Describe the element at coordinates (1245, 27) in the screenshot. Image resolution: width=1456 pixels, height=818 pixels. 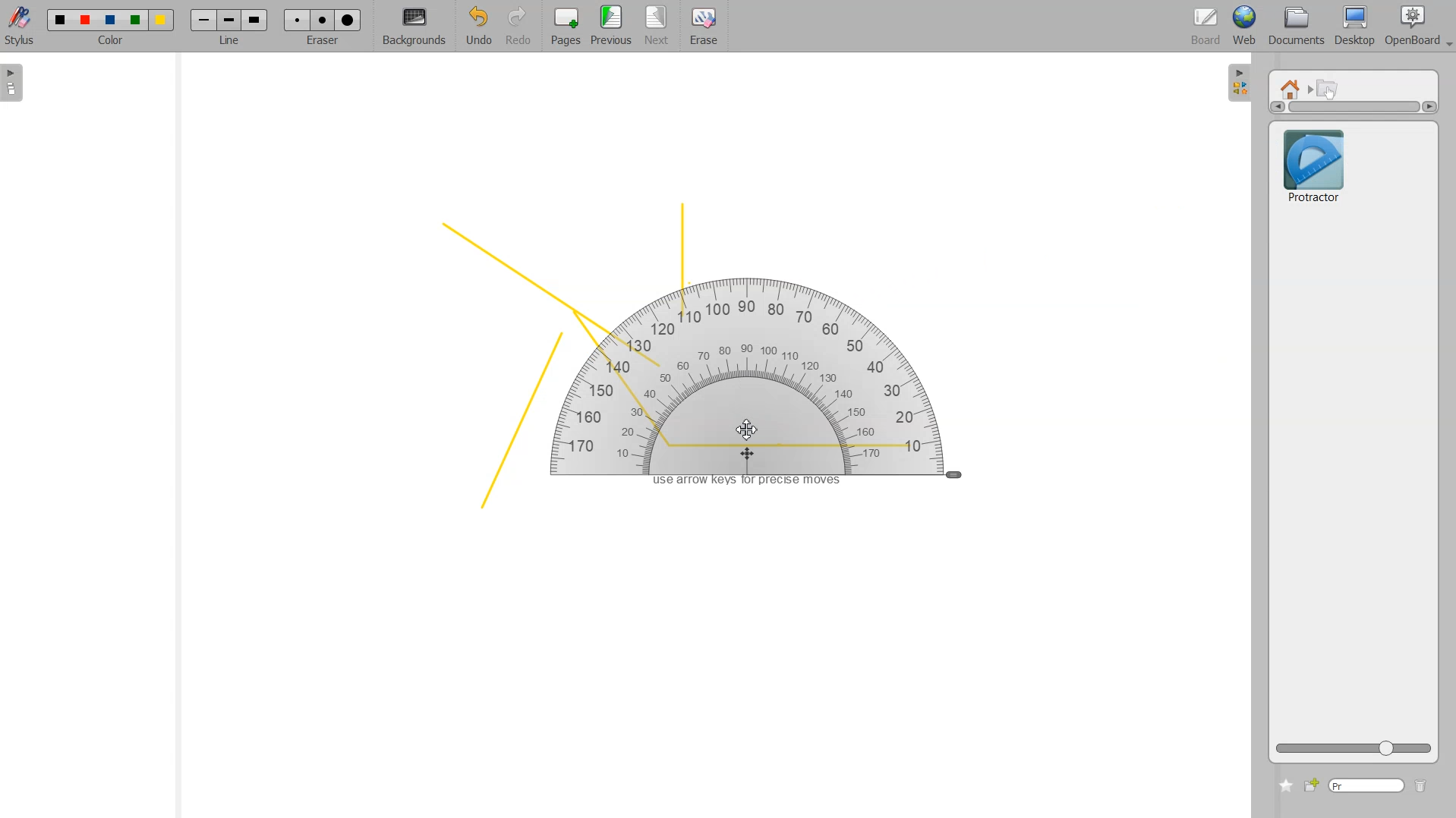
I see `Web` at that location.